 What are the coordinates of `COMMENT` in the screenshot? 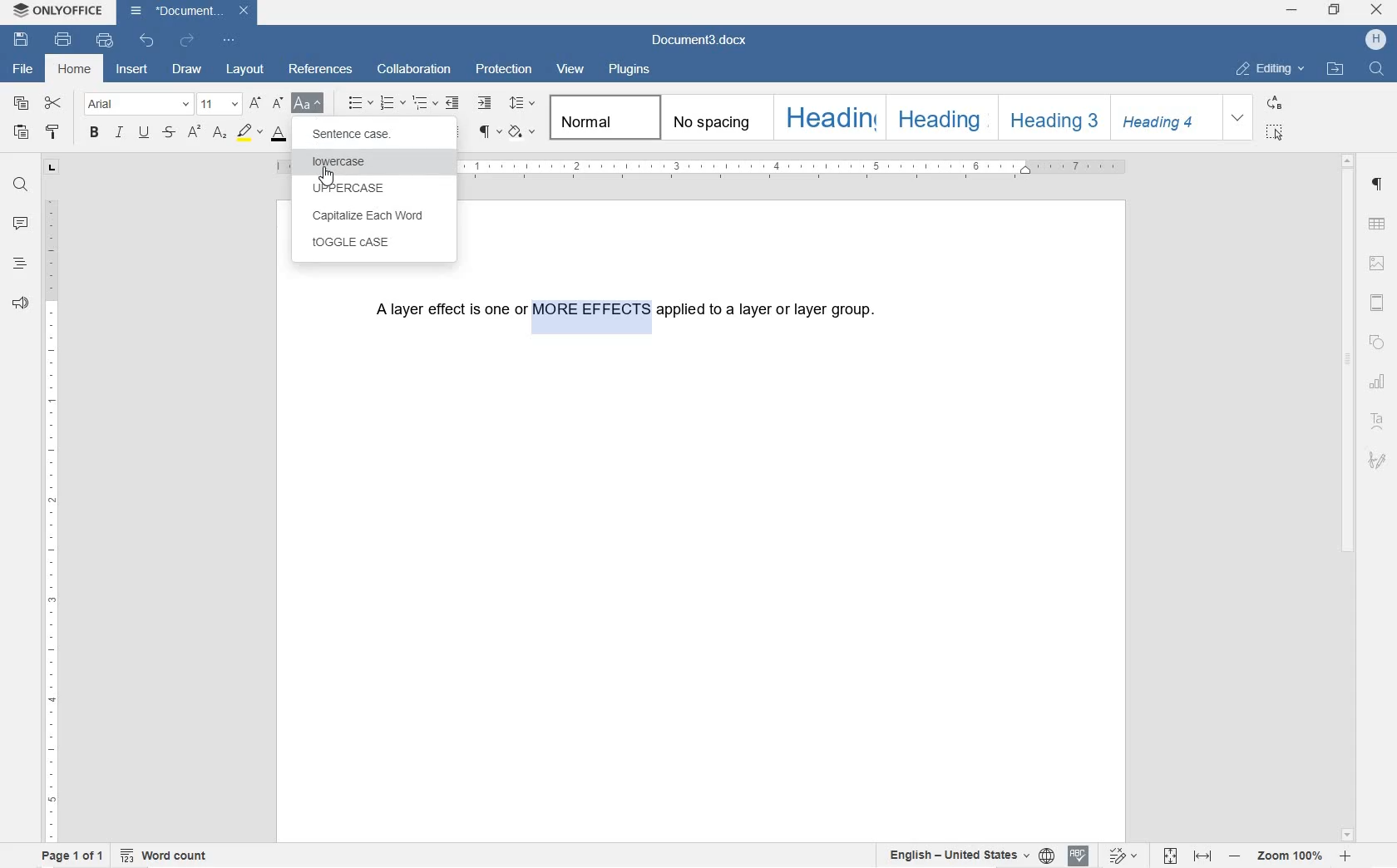 It's located at (21, 225).